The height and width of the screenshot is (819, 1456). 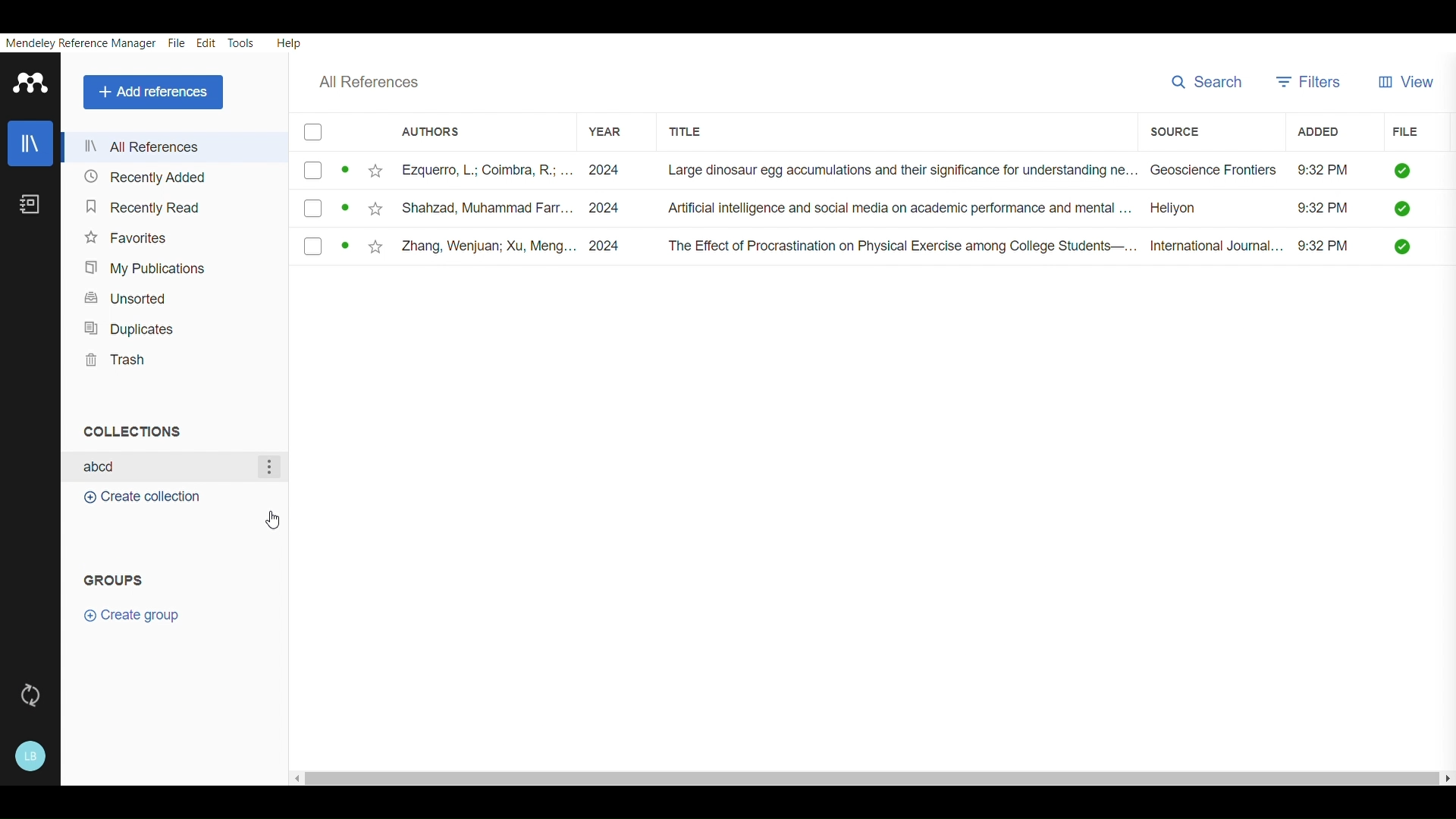 What do you see at coordinates (127, 325) in the screenshot?
I see `Duplicates` at bounding box center [127, 325].